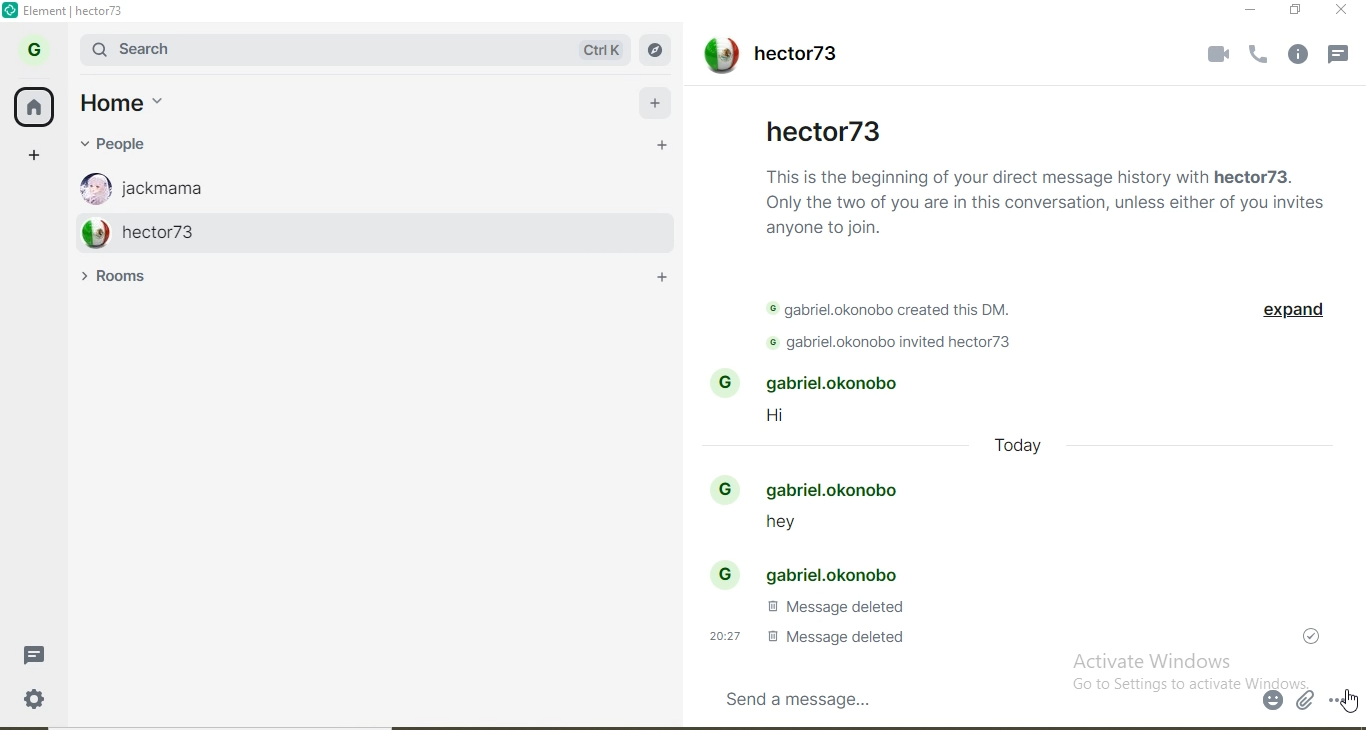 The width and height of the screenshot is (1366, 730). What do you see at coordinates (668, 281) in the screenshot?
I see `add room` at bounding box center [668, 281].